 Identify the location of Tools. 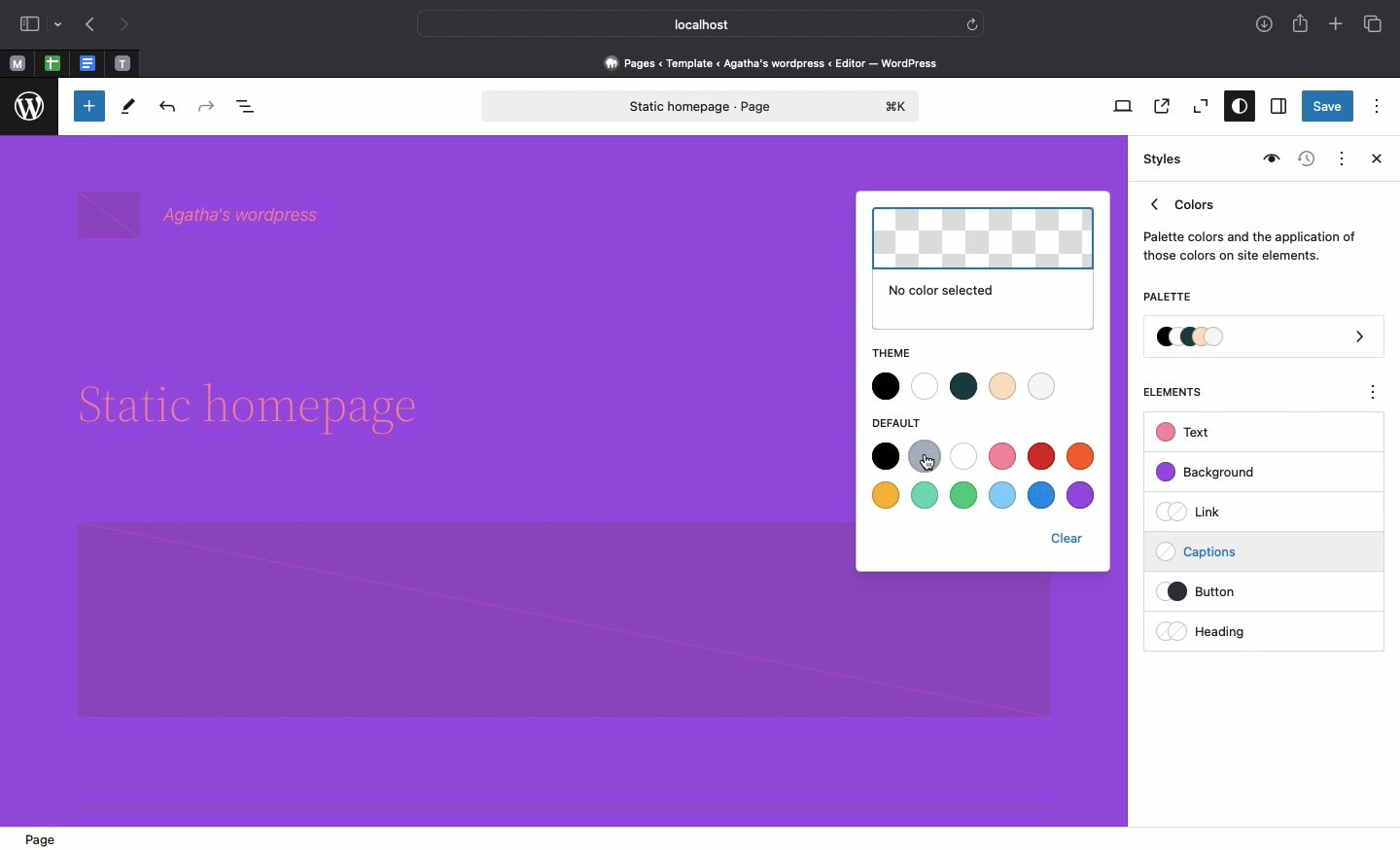
(129, 111).